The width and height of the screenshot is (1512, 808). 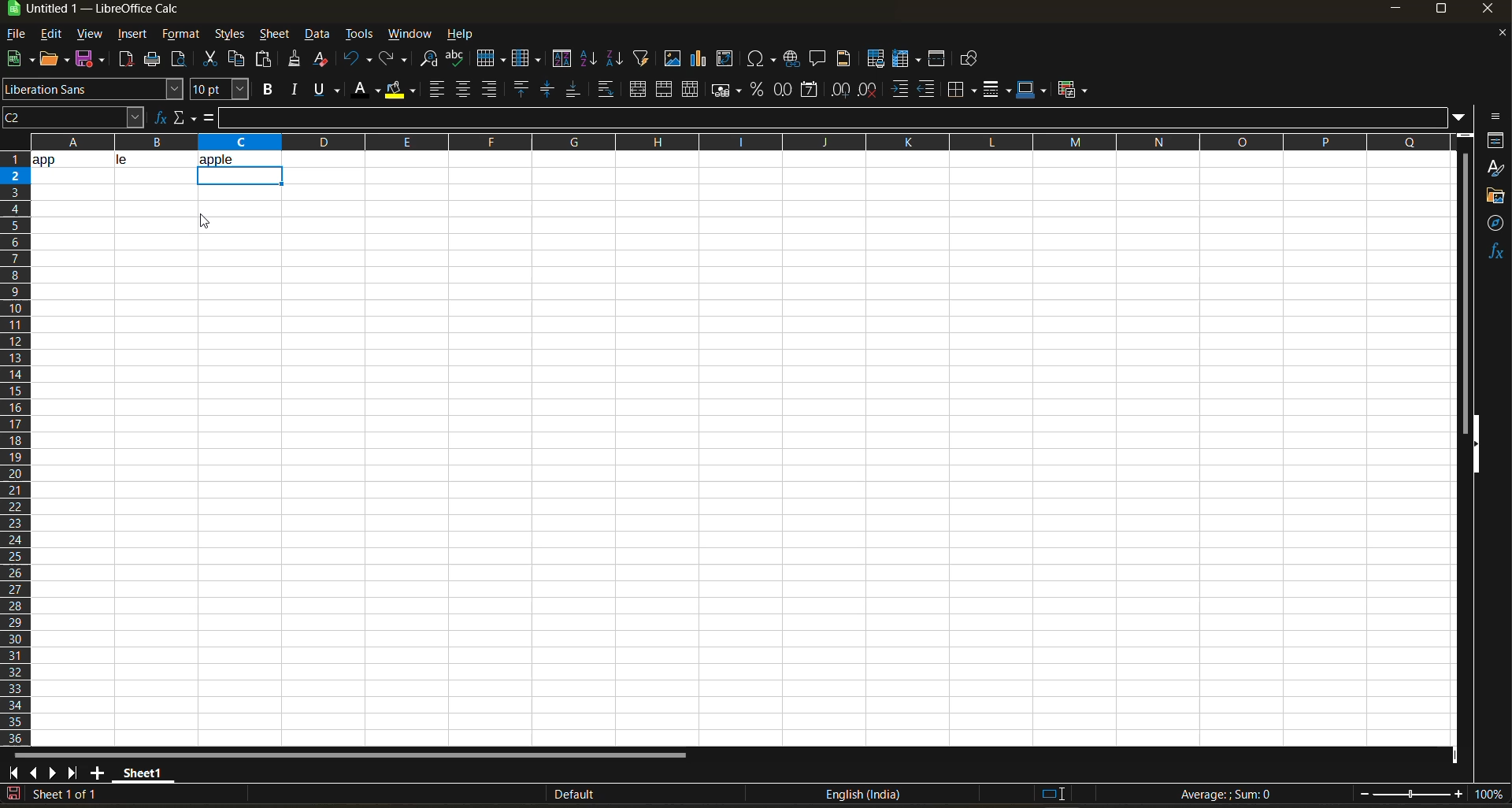 What do you see at coordinates (1475, 445) in the screenshot?
I see `hide` at bounding box center [1475, 445].